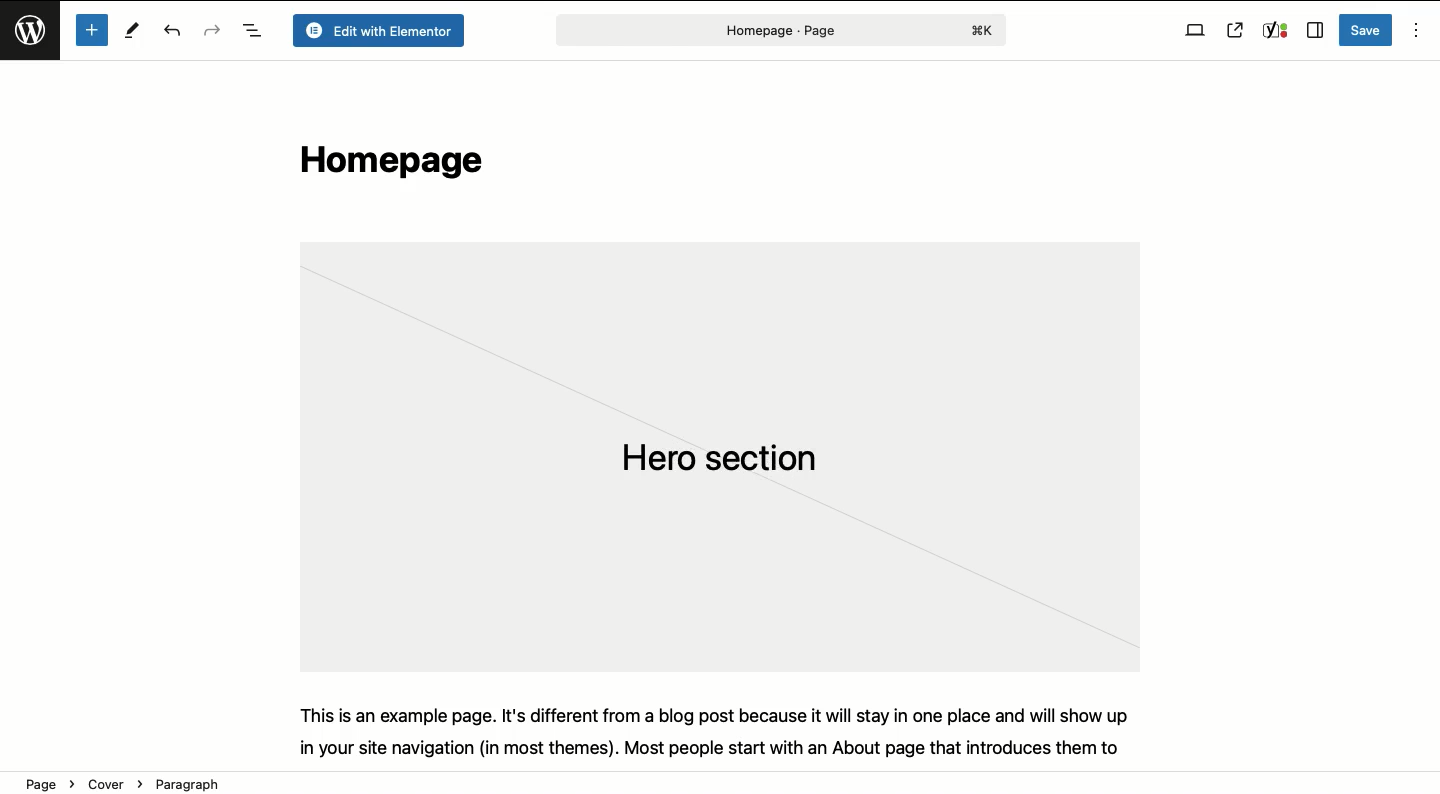 The height and width of the screenshot is (794, 1440). Describe the element at coordinates (175, 32) in the screenshot. I see `Undo` at that location.